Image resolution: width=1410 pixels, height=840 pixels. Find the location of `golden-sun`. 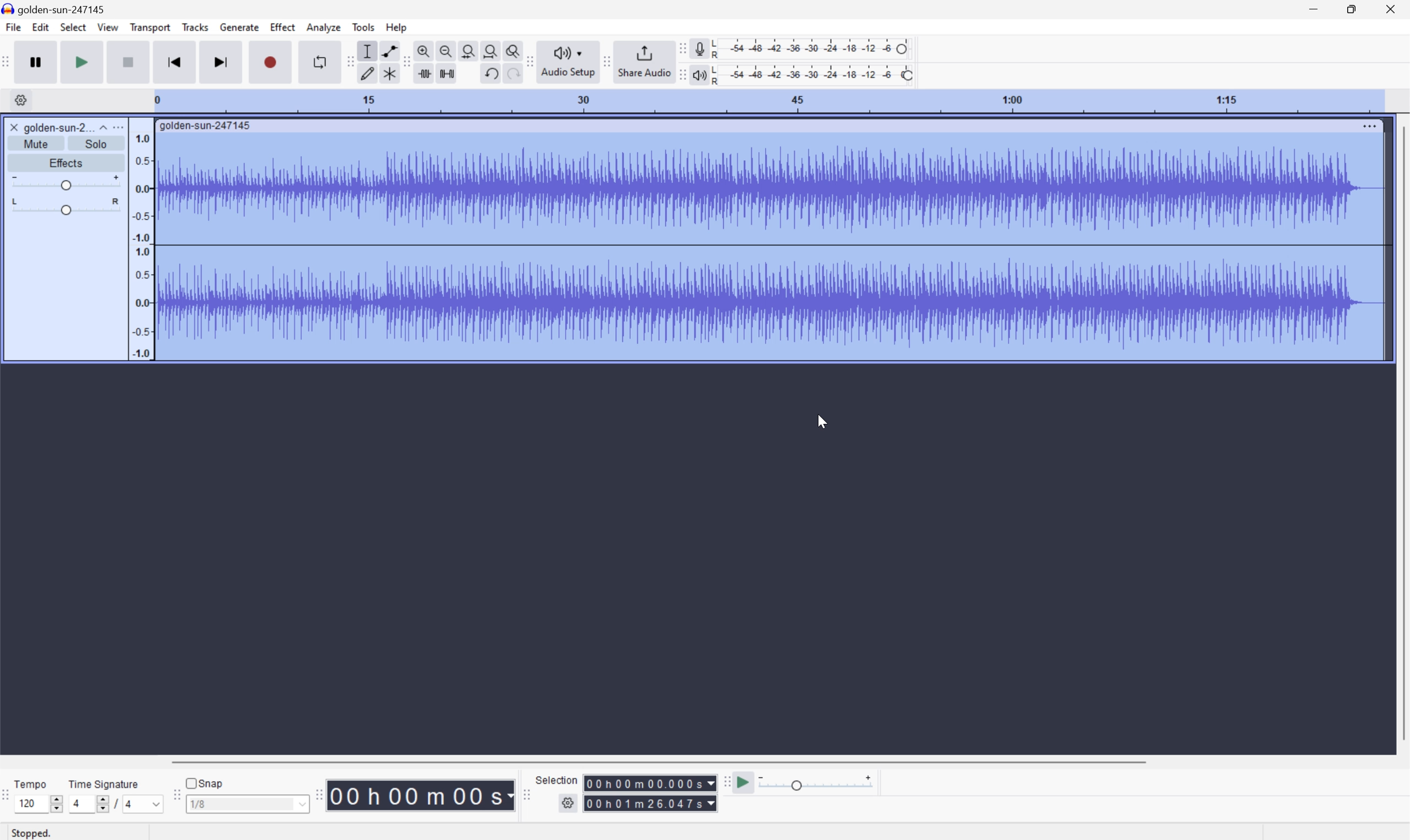

golden-sun is located at coordinates (47, 127).